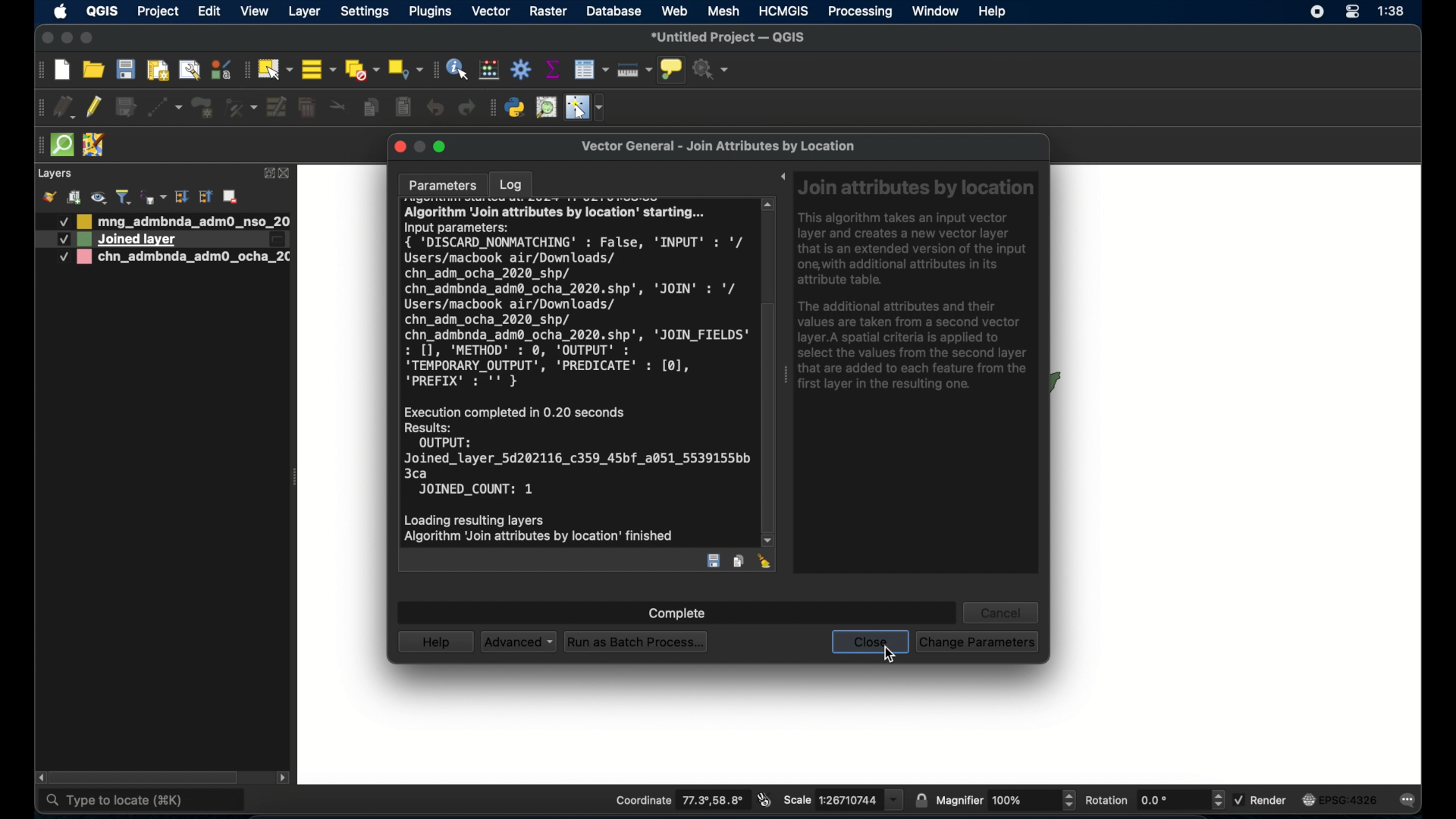 The image size is (1456, 819). What do you see at coordinates (307, 108) in the screenshot?
I see `delete selected` at bounding box center [307, 108].